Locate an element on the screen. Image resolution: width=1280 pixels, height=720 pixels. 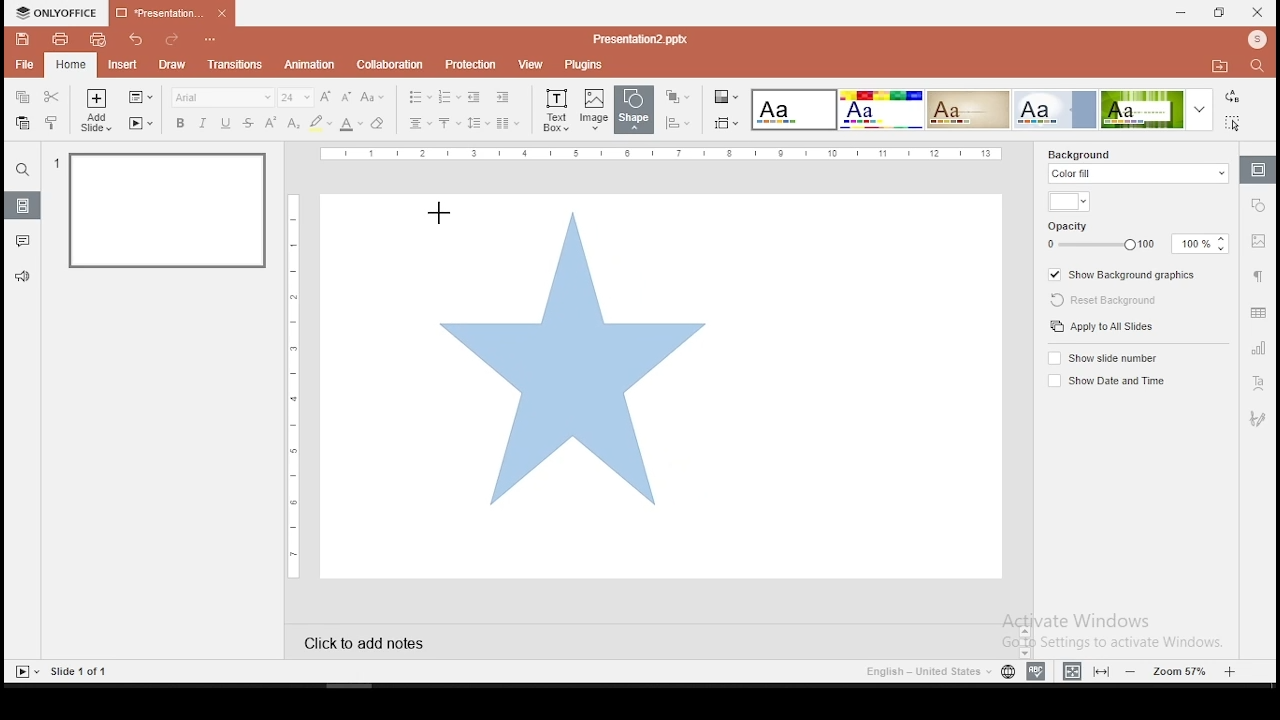
fit to slide is located at coordinates (1101, 671).